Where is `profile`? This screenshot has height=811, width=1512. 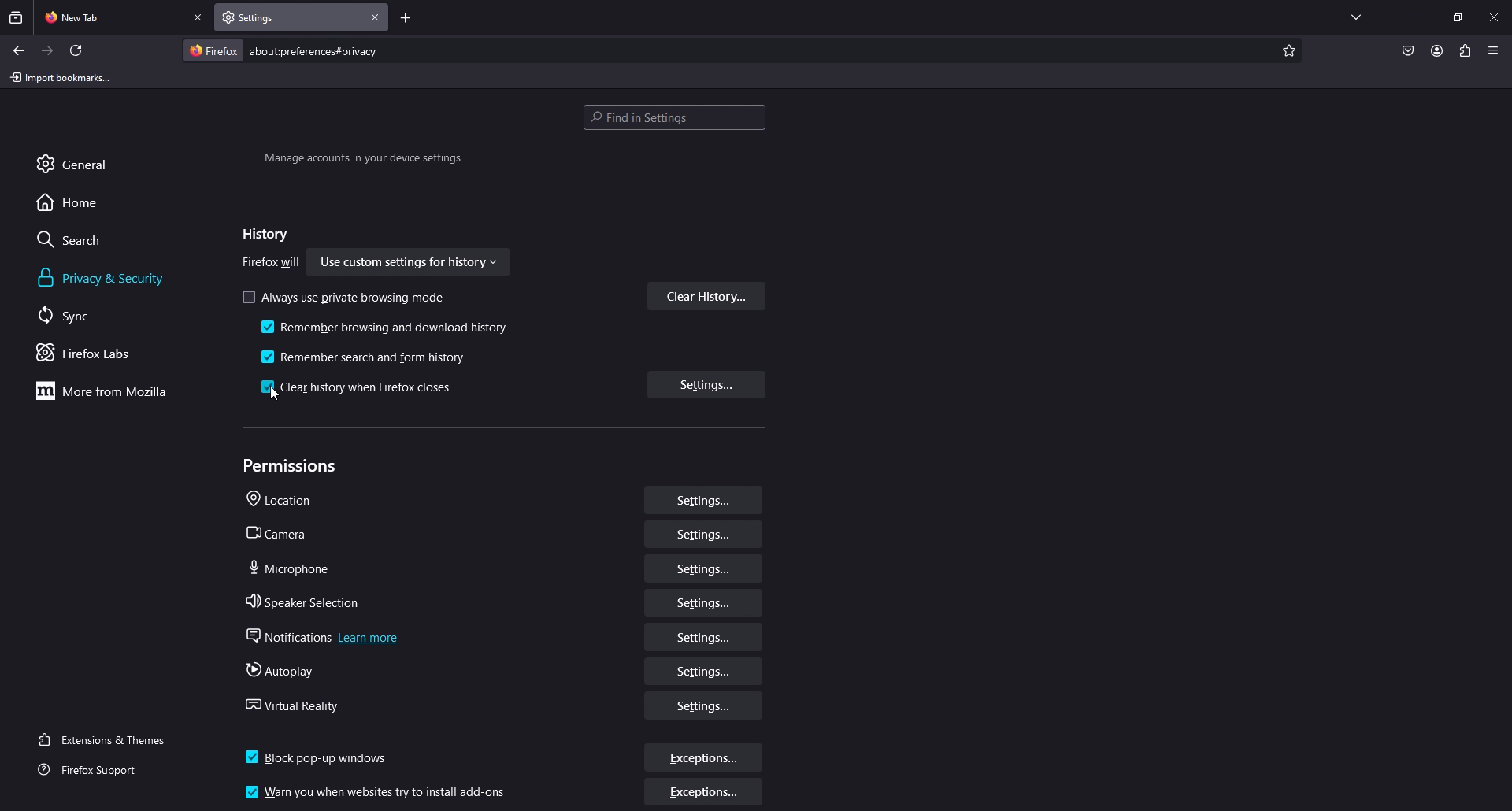
profile is located at coordinates (1436, 50).